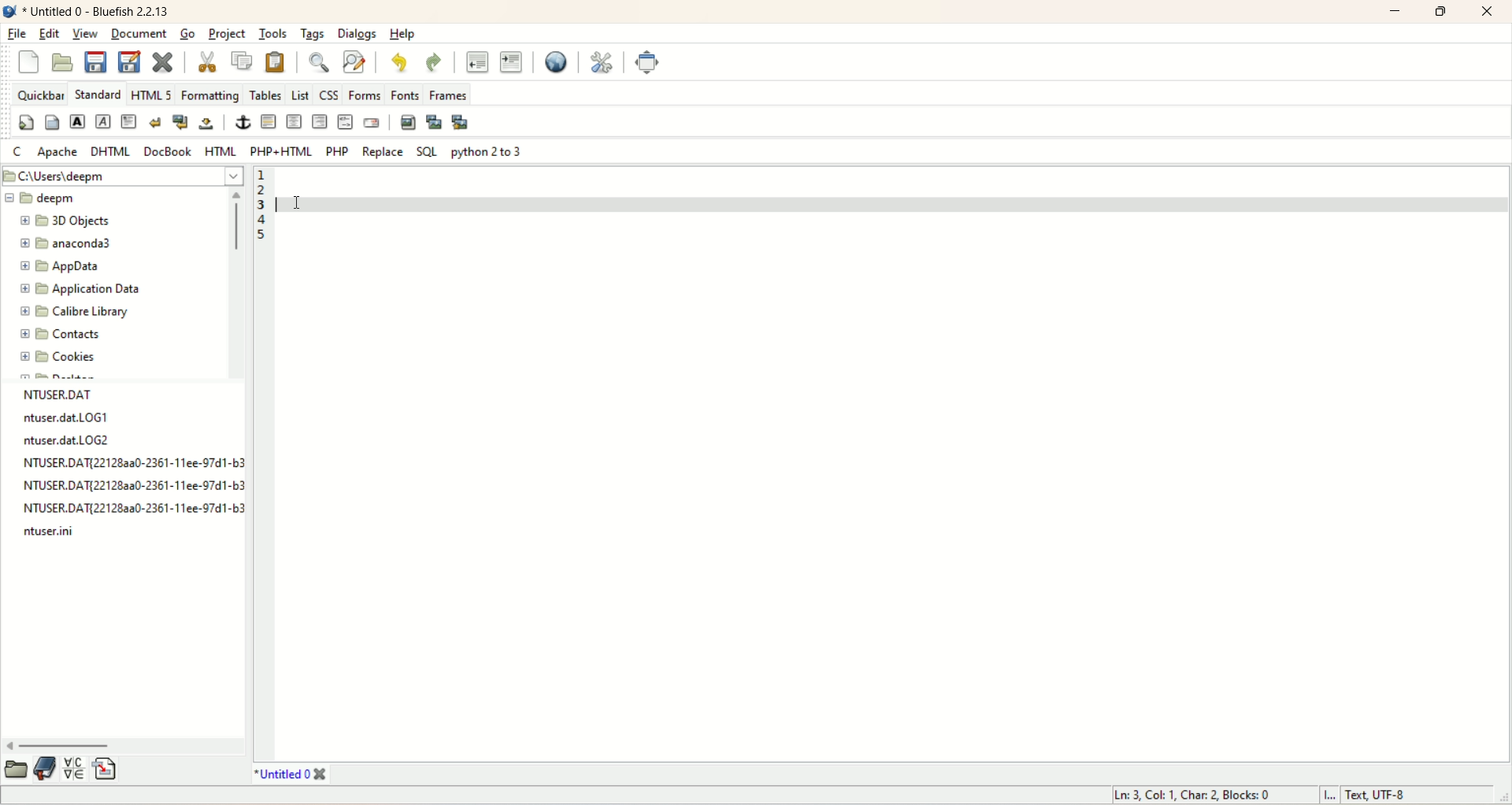  I want to click on PHP, so click(334, 151).